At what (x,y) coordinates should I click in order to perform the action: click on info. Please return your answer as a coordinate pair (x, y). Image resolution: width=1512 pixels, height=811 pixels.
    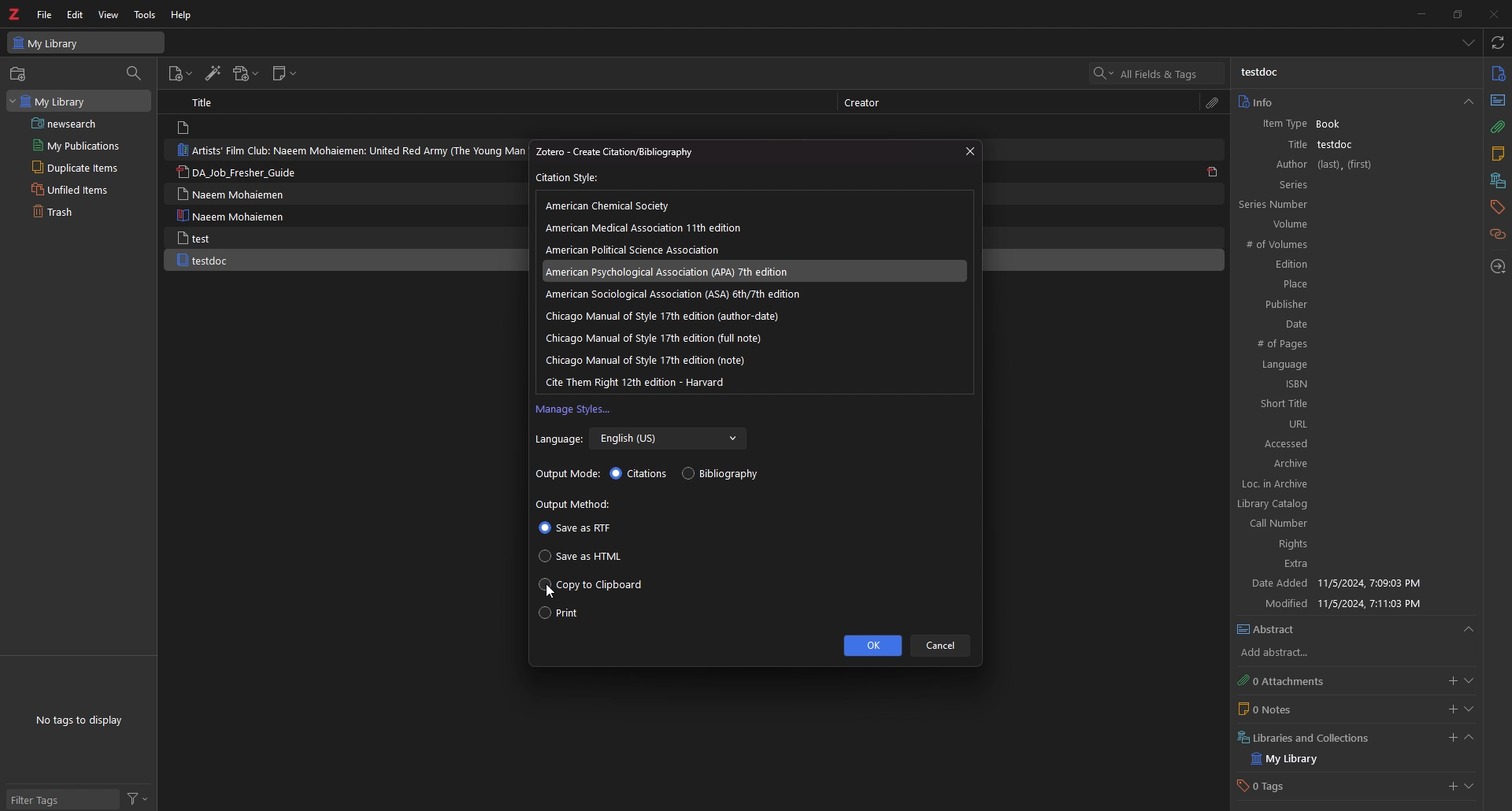
    Looking at the image, I should click on (1354, 102).